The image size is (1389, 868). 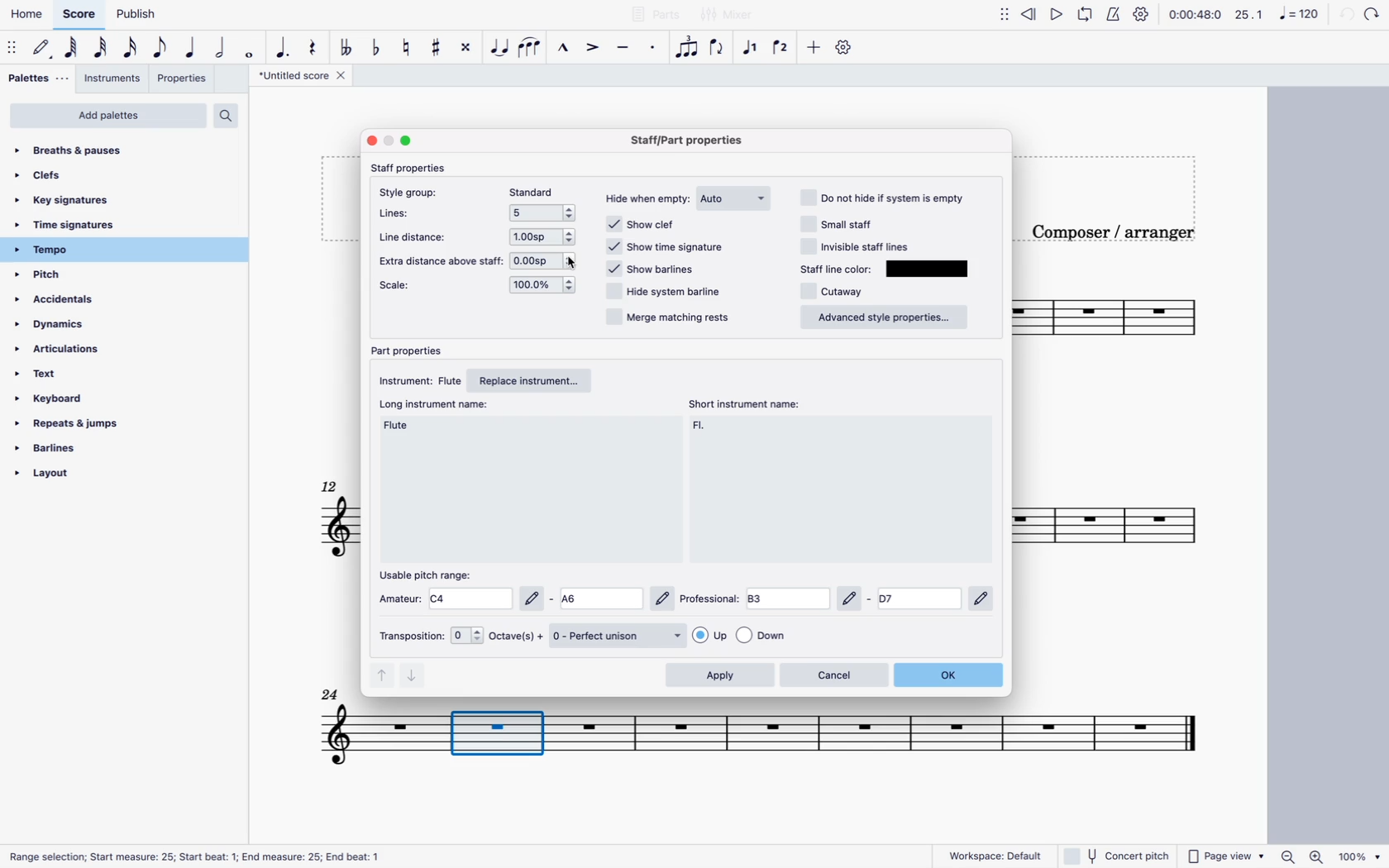 What do you see at coordinates (64, 301) in the screenshot?
I see `accidentals` at bounding box center [64, 301].